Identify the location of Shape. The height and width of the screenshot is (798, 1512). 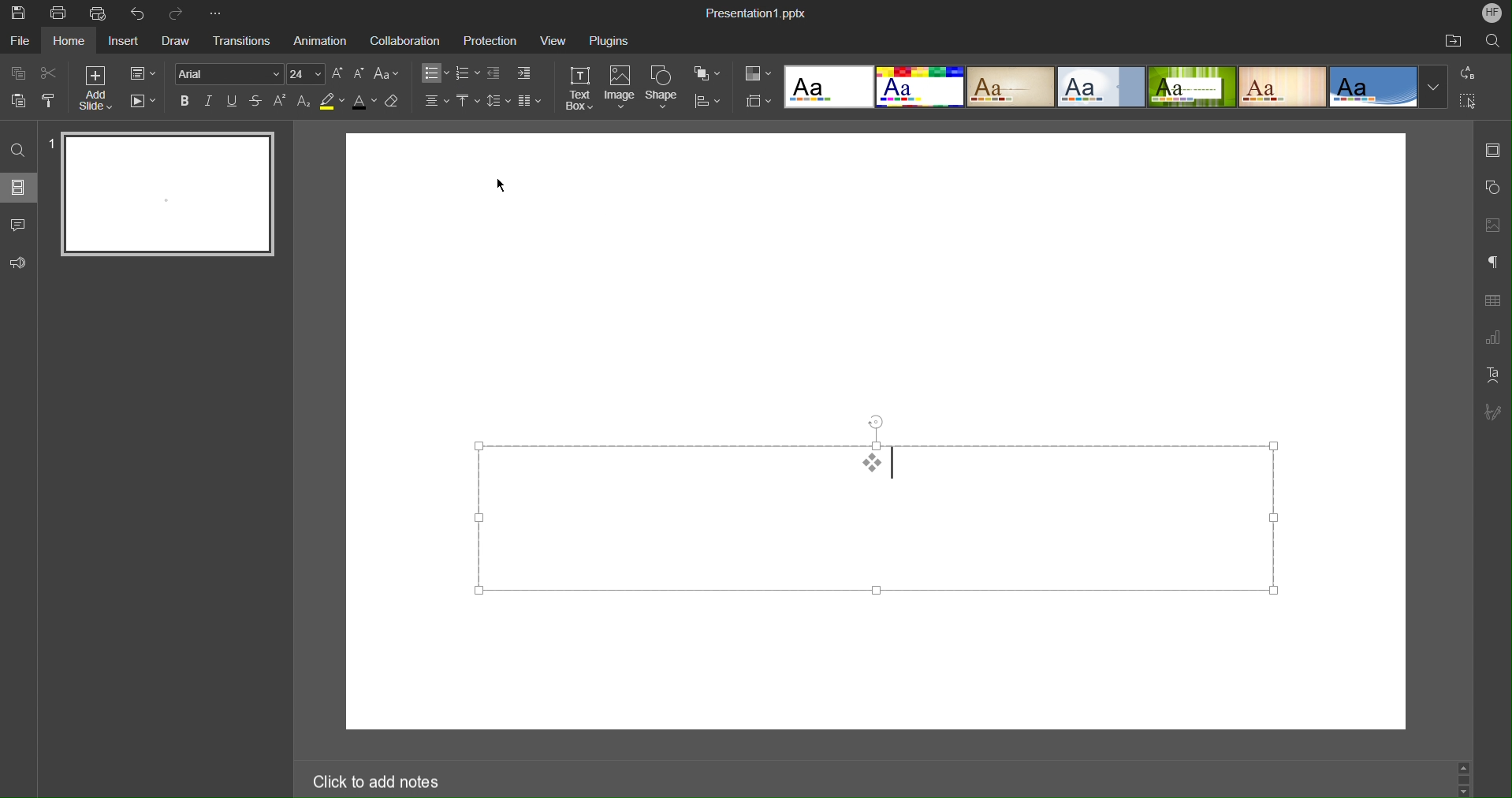
(663, 88).